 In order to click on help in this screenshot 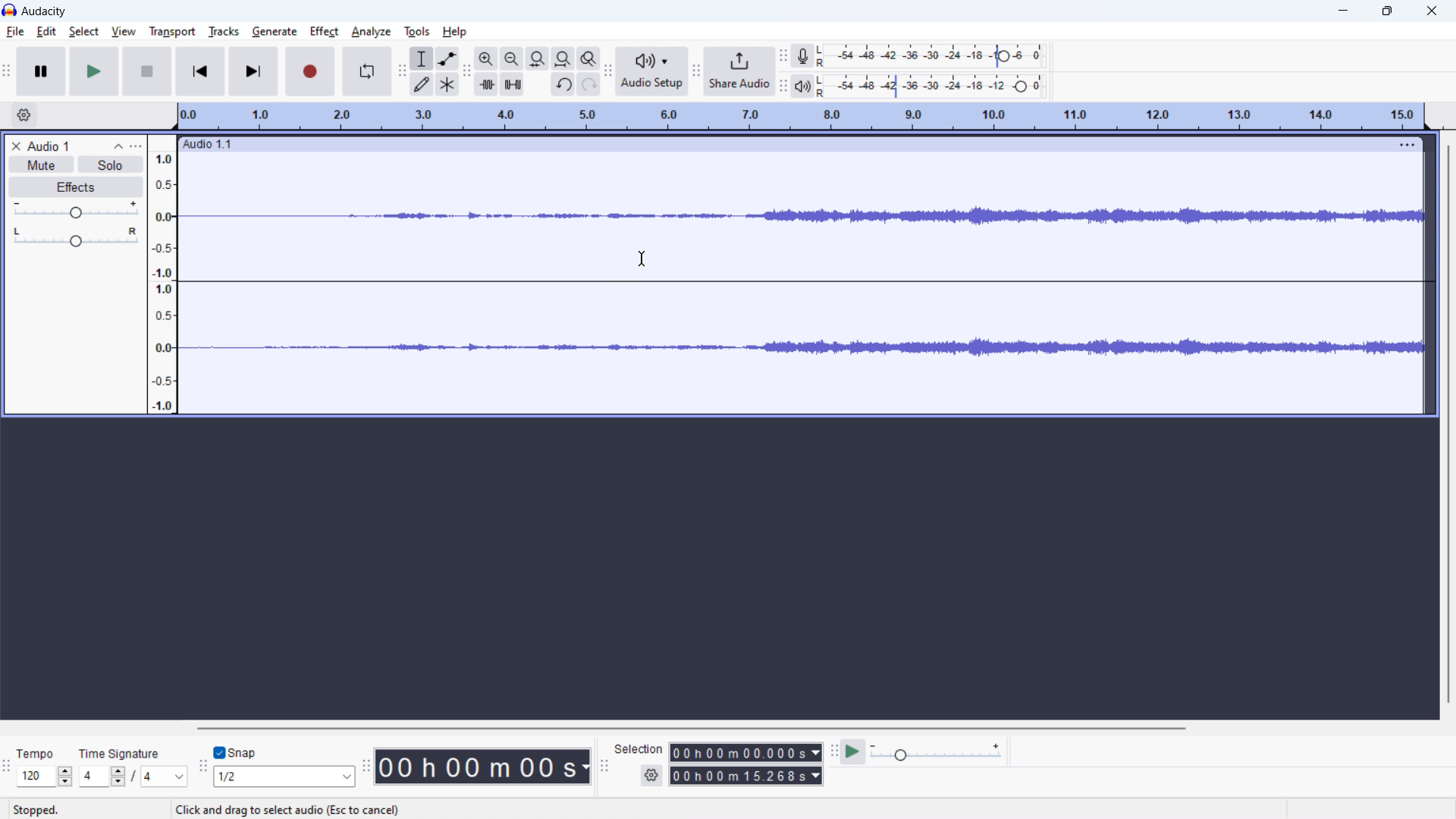, I will do `click(456, 32)`.